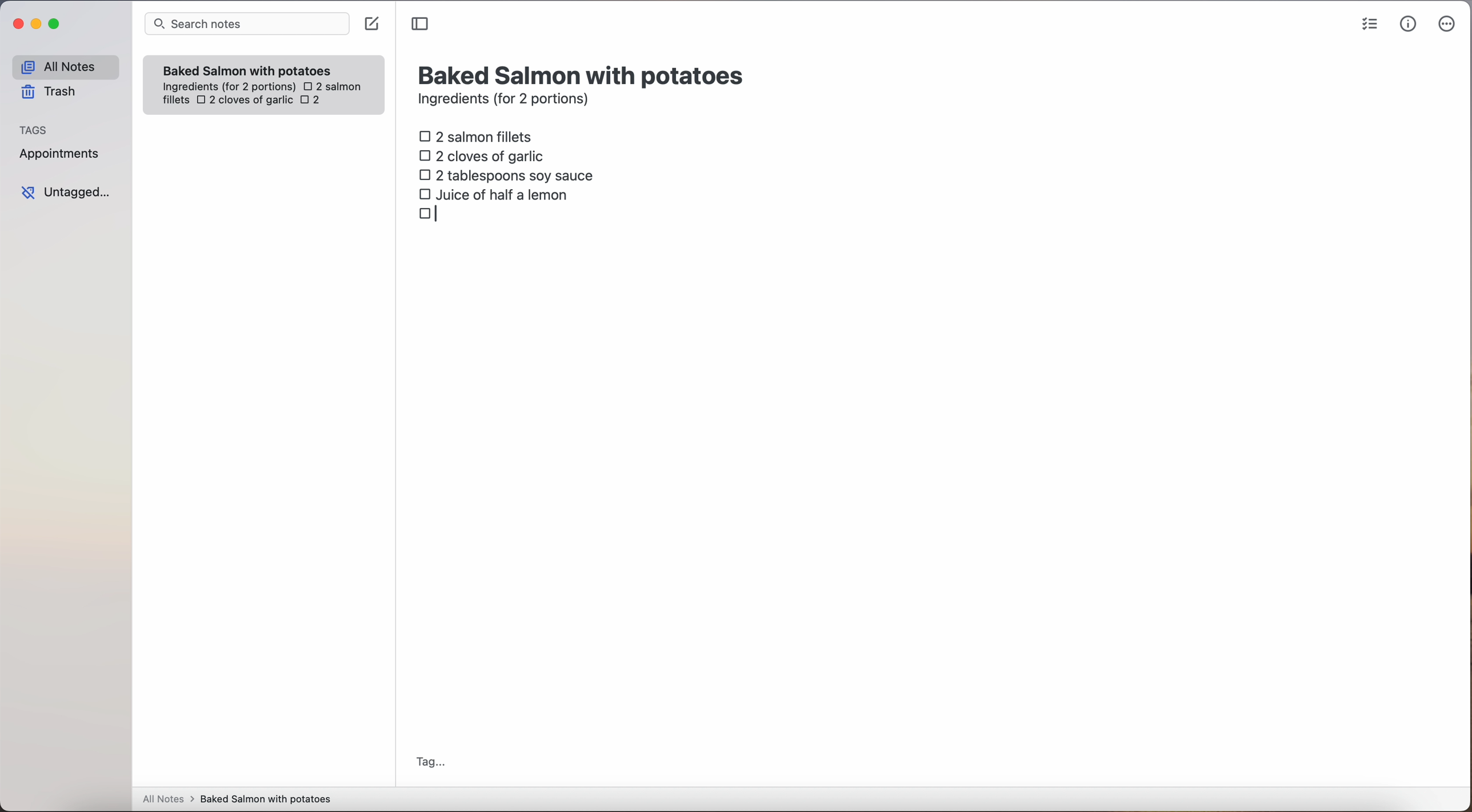  Describe the element at coordinates (237, 798) in the screenshot. I see `all notes > baked Salmon with potatoes` at that location.